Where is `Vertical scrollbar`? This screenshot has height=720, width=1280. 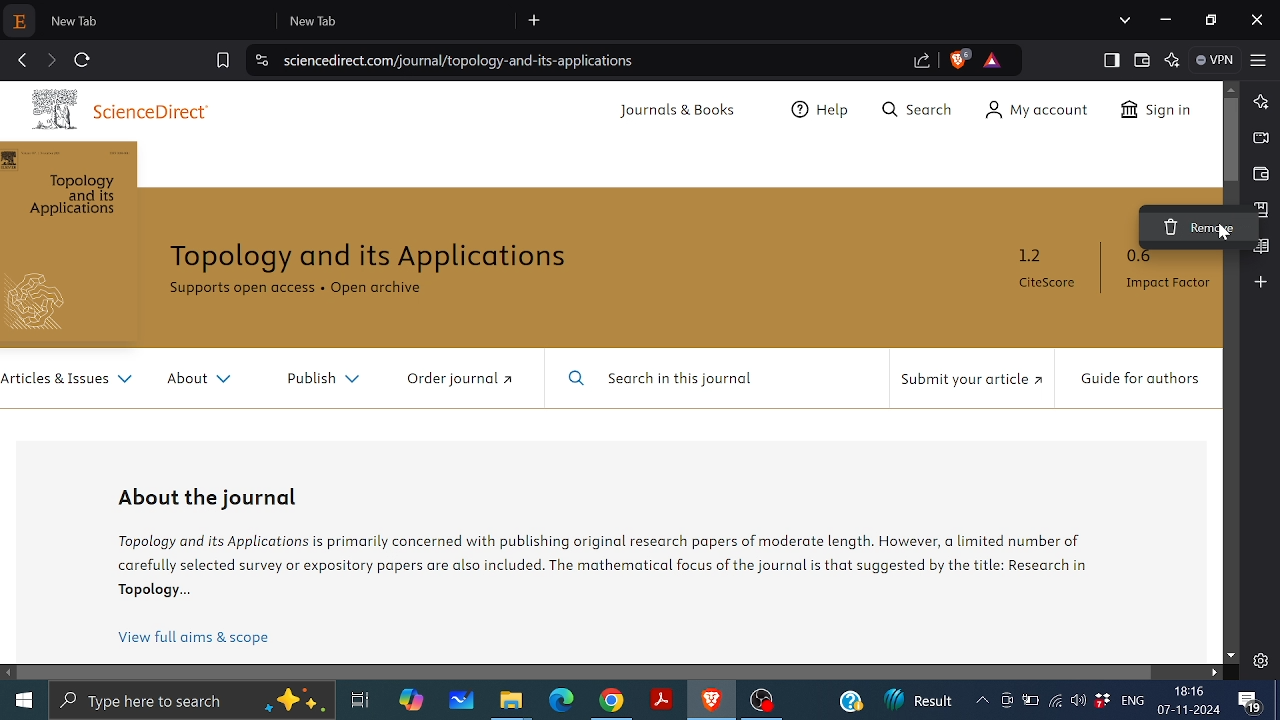 Vertical scrollbar is located at coordinates (1231, 140).